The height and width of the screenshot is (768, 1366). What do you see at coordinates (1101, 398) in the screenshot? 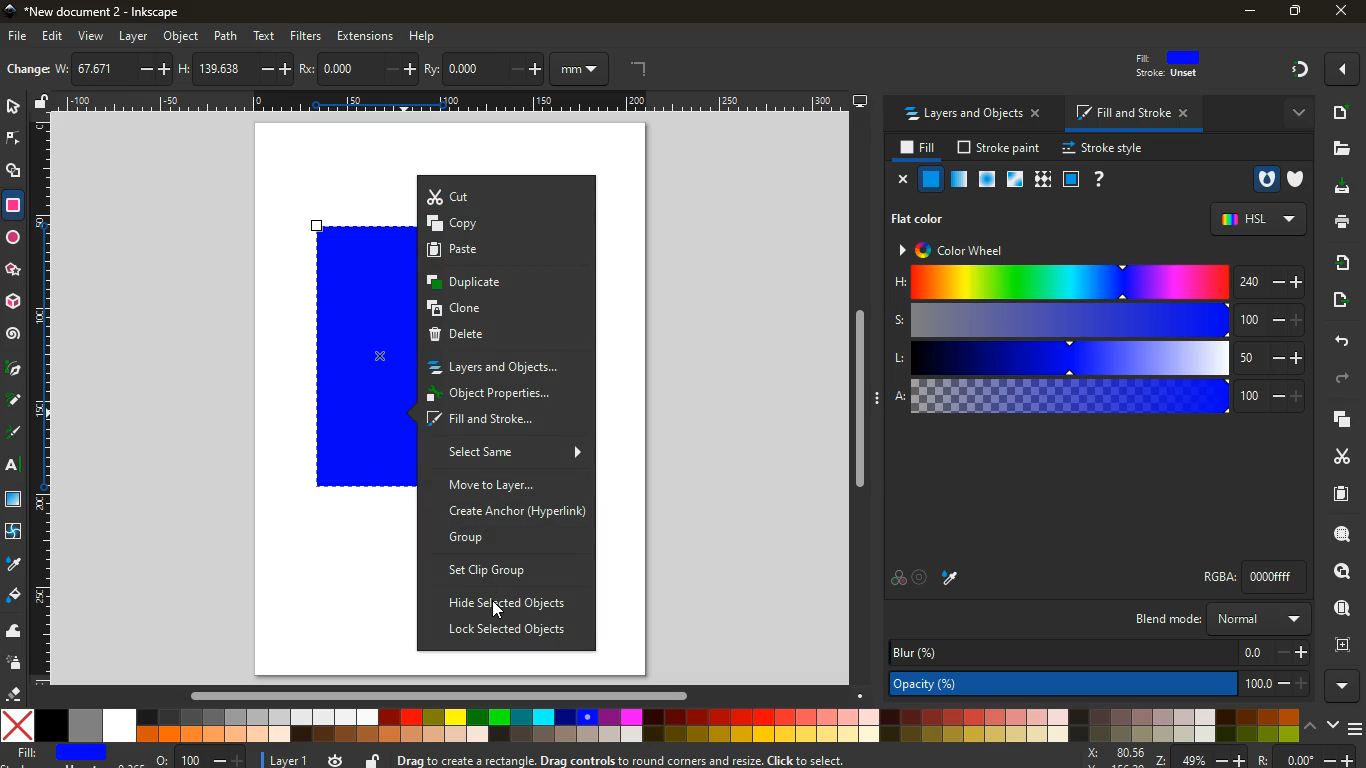
I see `a` at bounding box center [1101, 398].